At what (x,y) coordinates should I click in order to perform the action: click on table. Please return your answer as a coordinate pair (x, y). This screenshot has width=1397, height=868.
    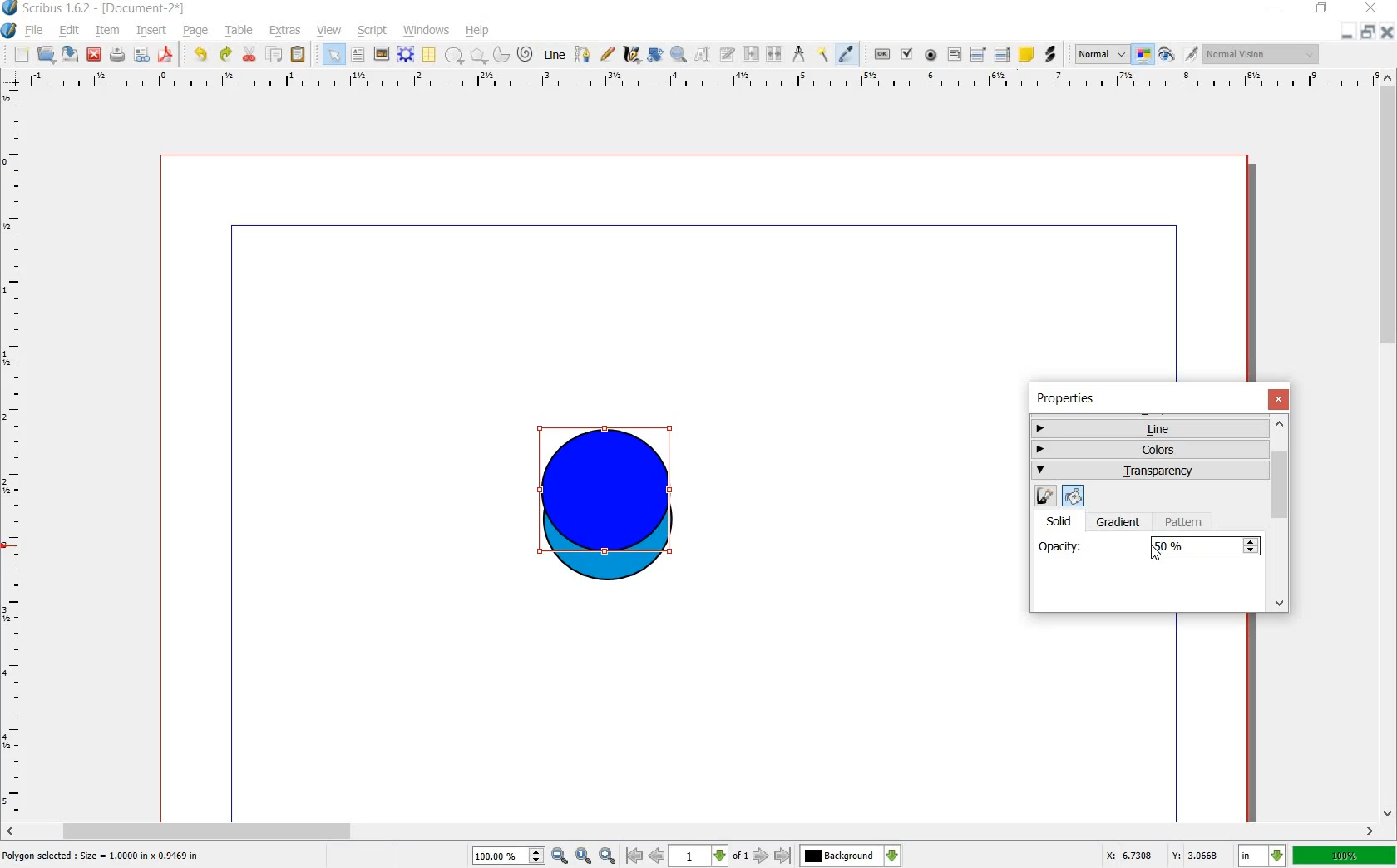
    Looking at the image, I should click on (428, 55).